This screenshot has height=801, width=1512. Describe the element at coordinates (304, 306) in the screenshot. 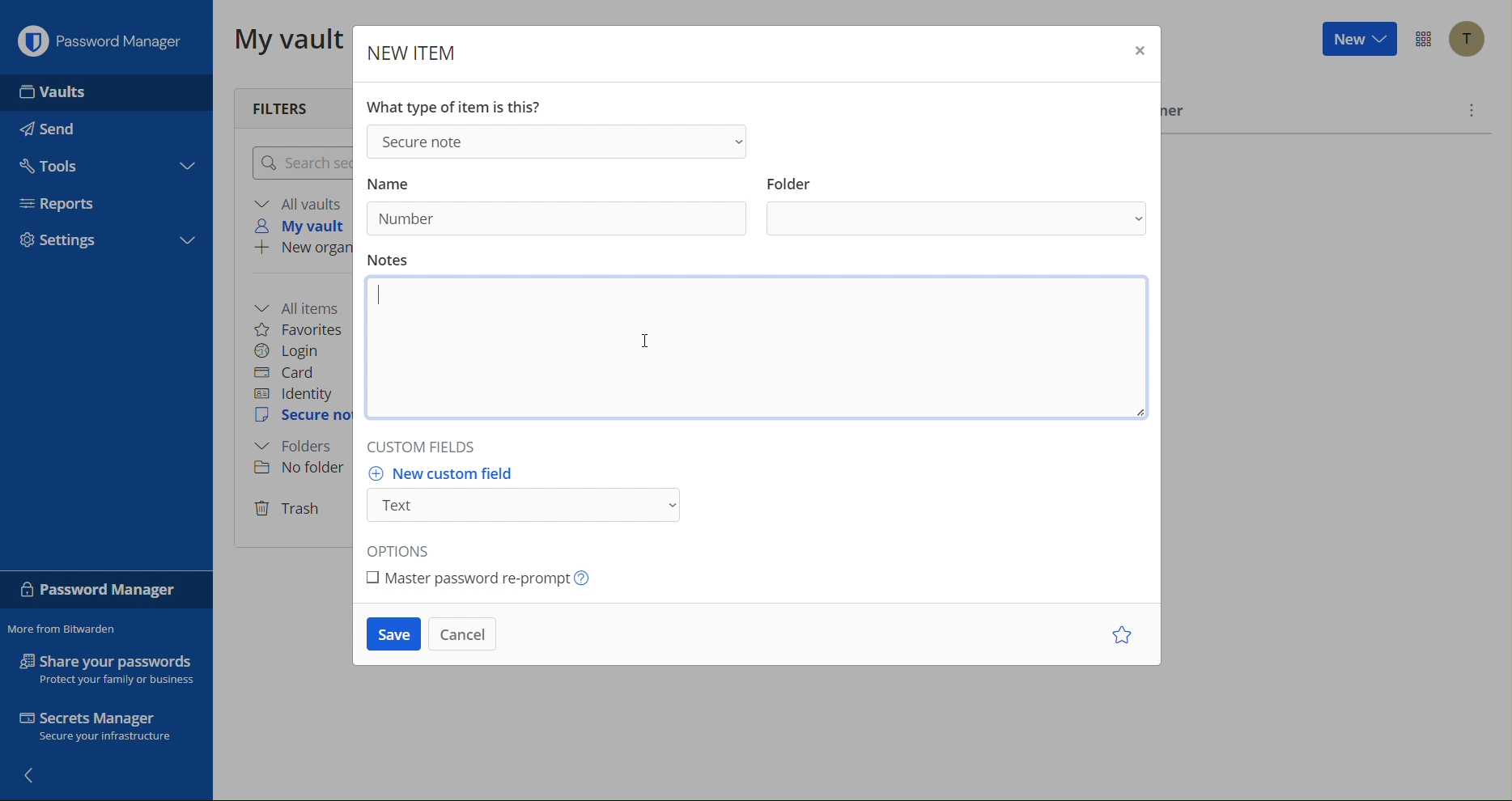

I see `All items` at that location.